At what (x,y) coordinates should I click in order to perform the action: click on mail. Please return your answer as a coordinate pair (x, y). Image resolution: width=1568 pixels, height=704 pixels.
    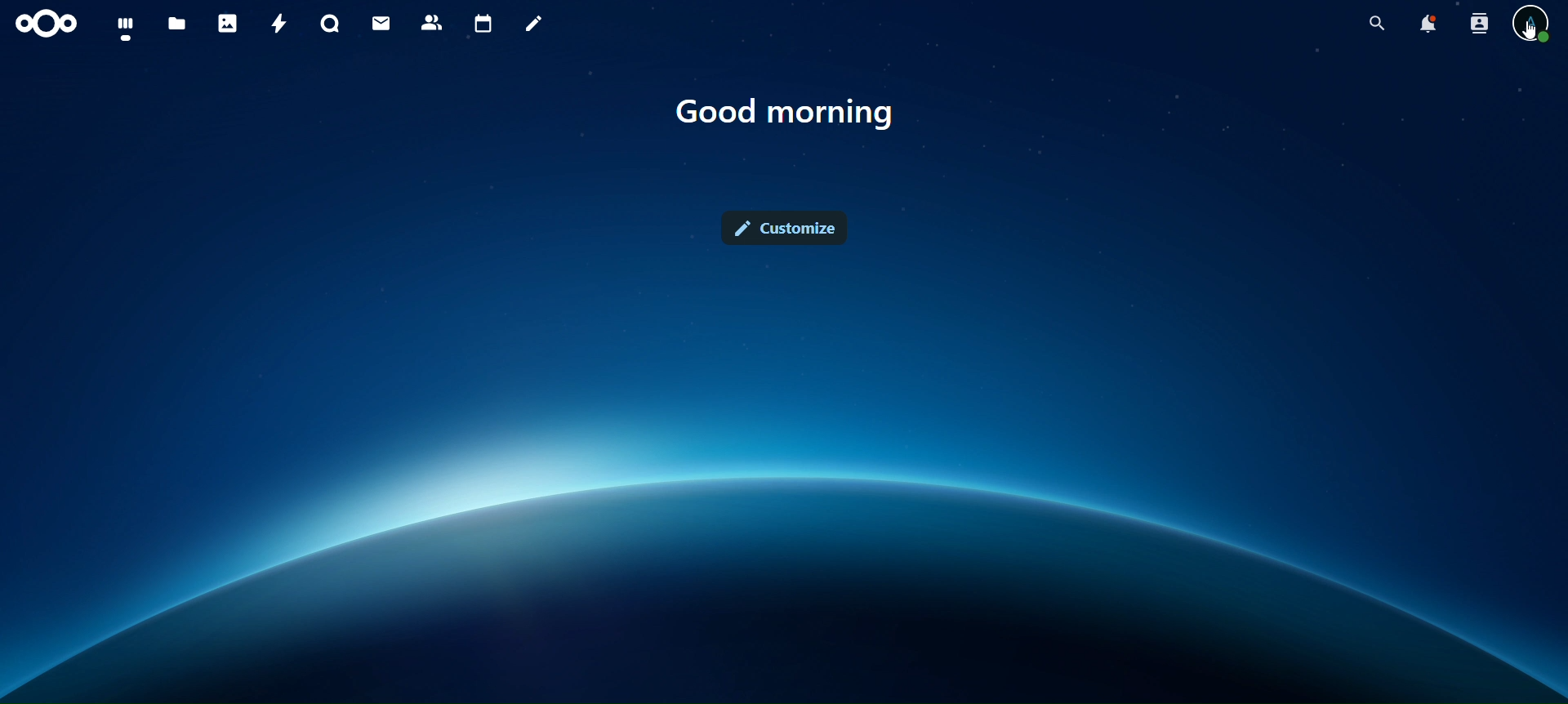
    Looking at the image, I should click on (378, 23).